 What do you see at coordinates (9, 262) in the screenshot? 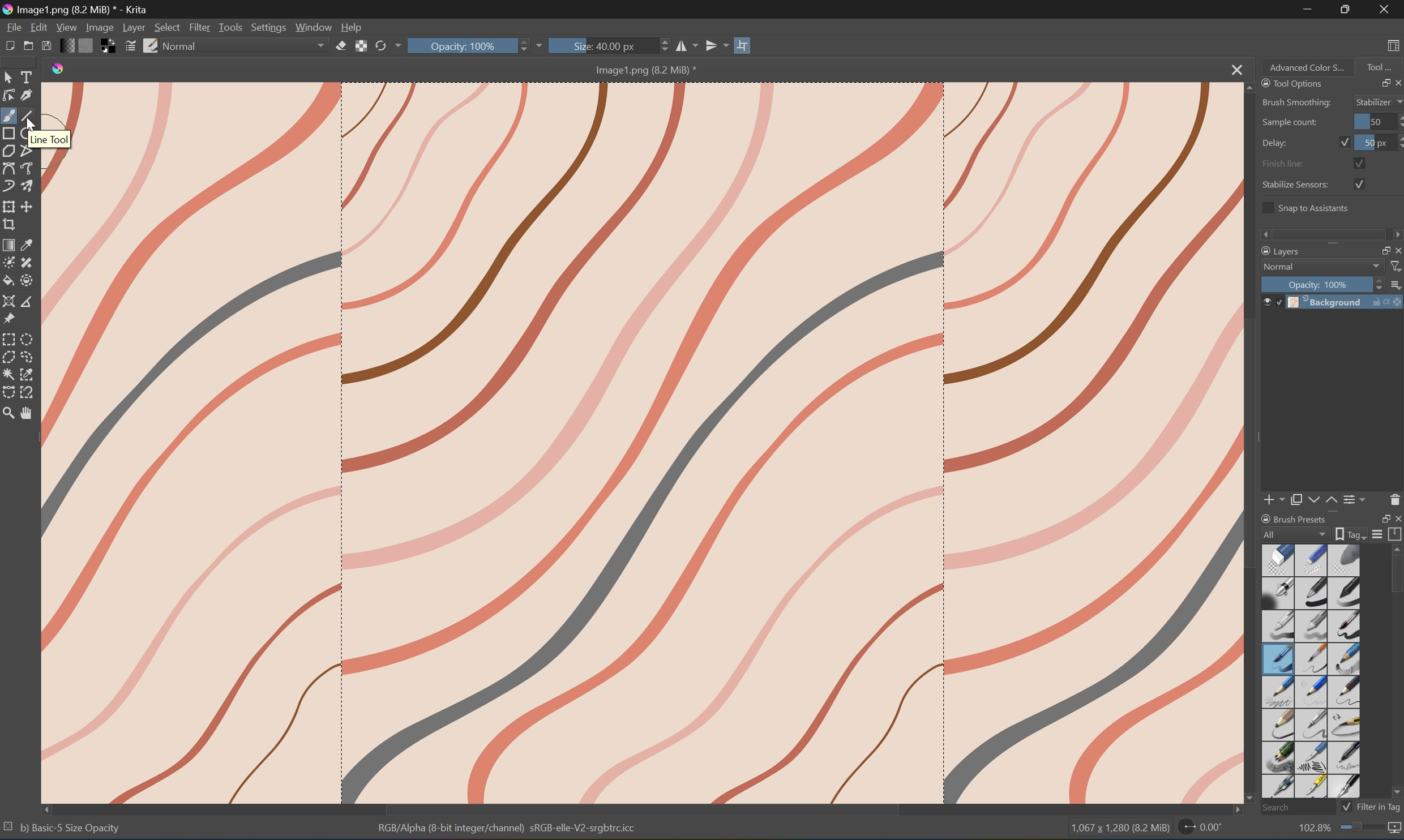
I see `Colorize mask tool` at bounding box center [9, 262].